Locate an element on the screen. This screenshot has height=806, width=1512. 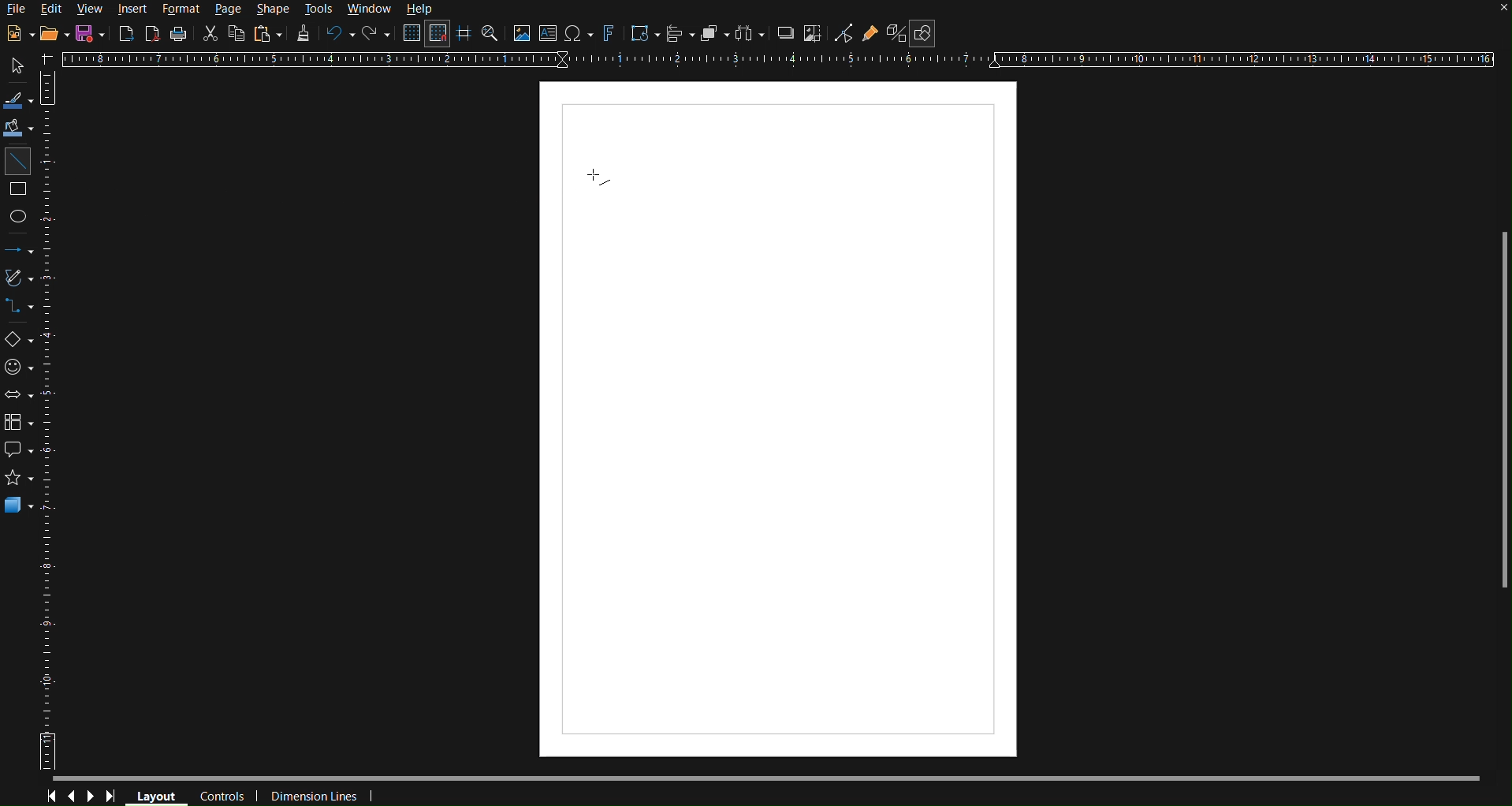
First is located at coordinates (50, 796).